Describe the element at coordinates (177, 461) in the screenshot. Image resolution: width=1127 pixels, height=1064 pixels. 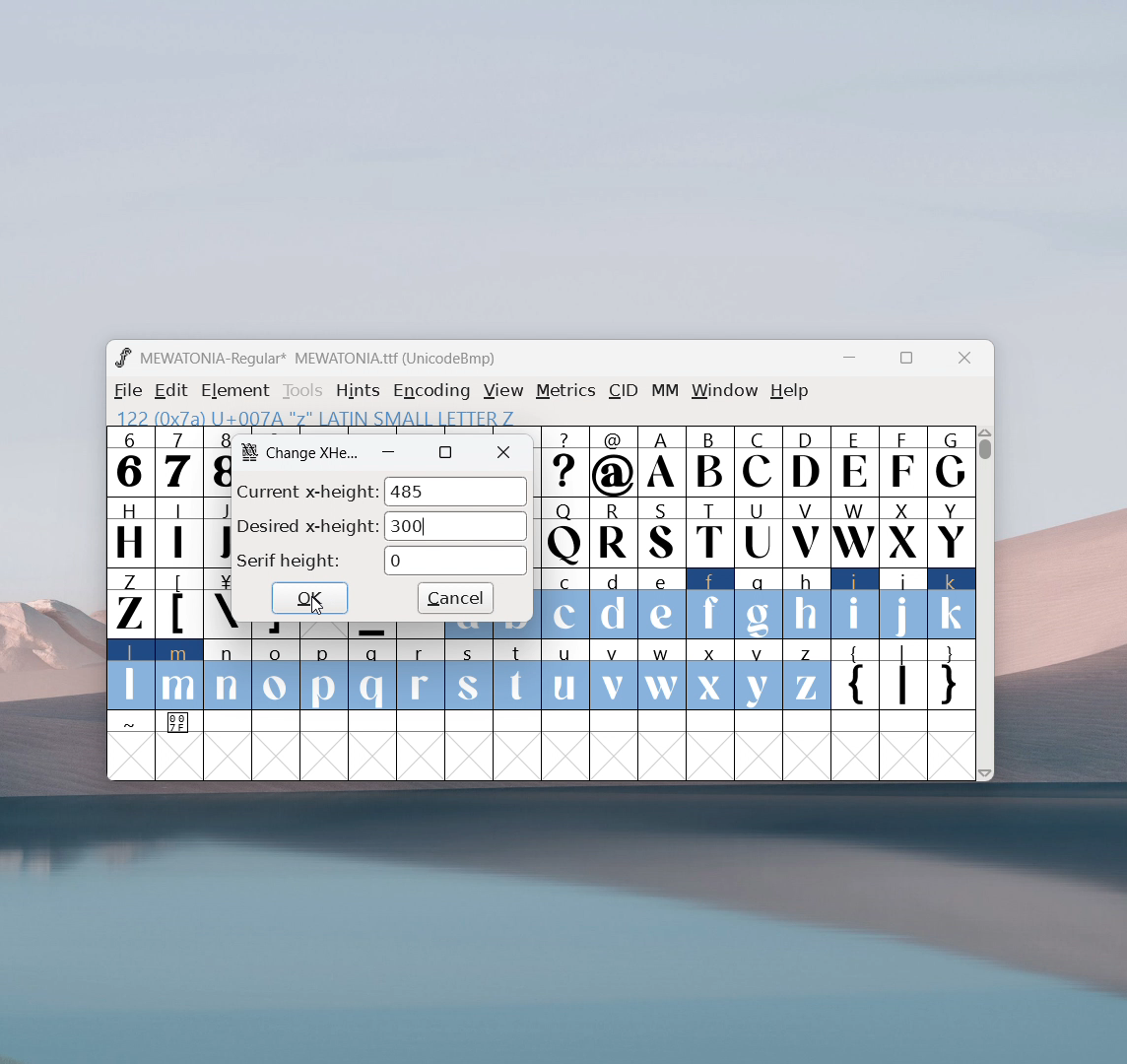
I see `7` at that location.